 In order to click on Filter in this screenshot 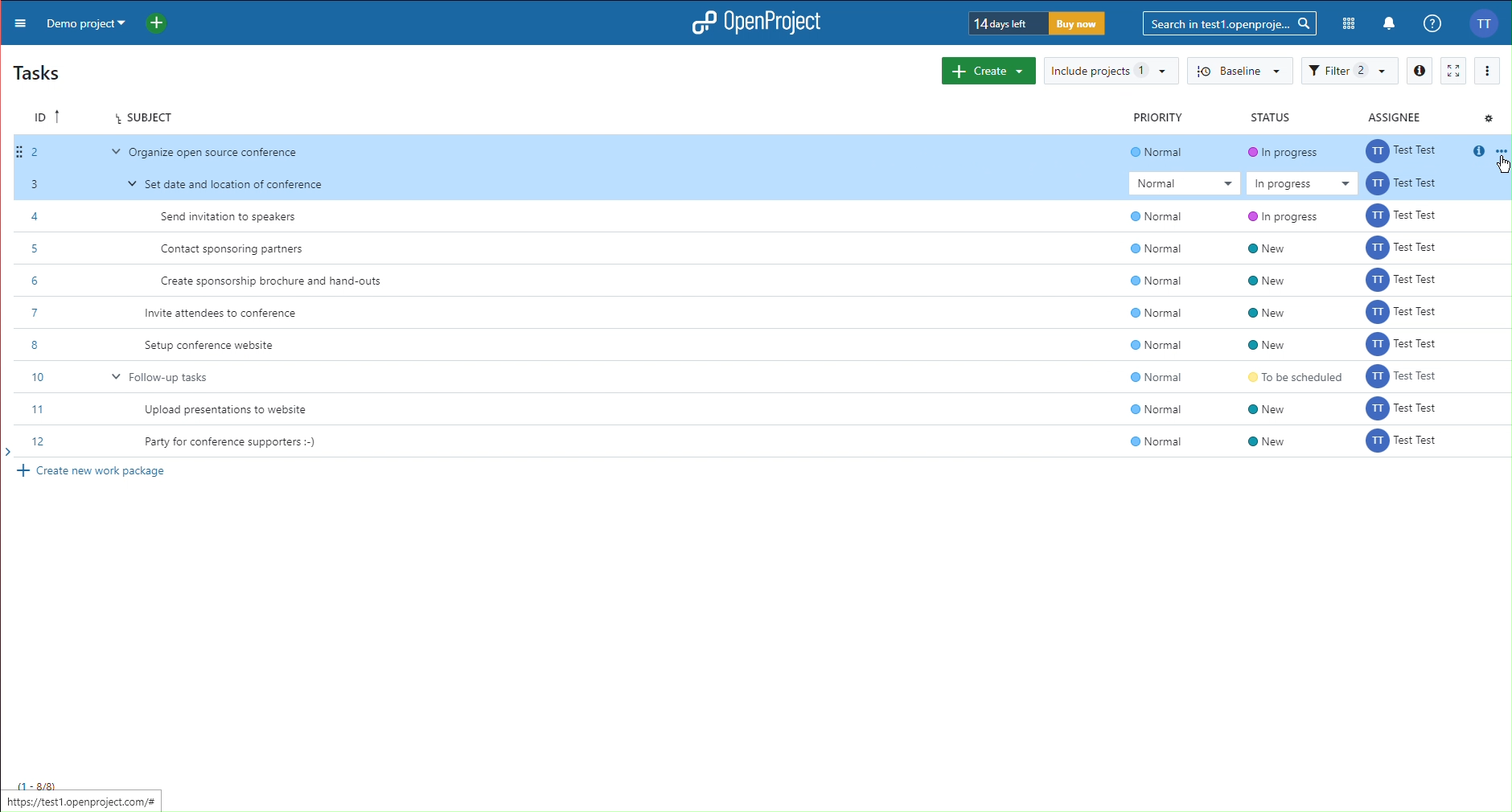, I will do `click(1349, 72)`.